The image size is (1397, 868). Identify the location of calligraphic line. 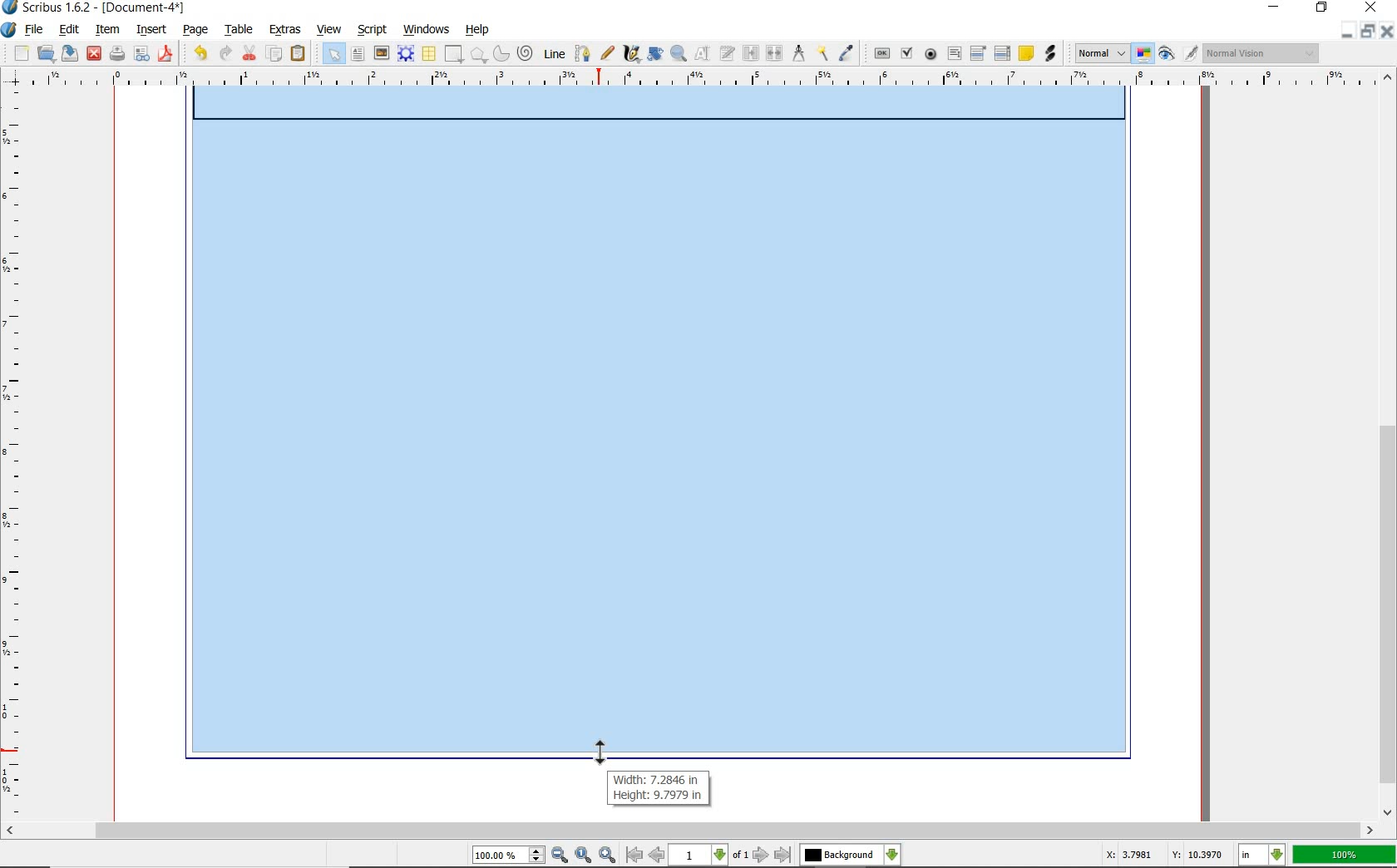
(631, 53).